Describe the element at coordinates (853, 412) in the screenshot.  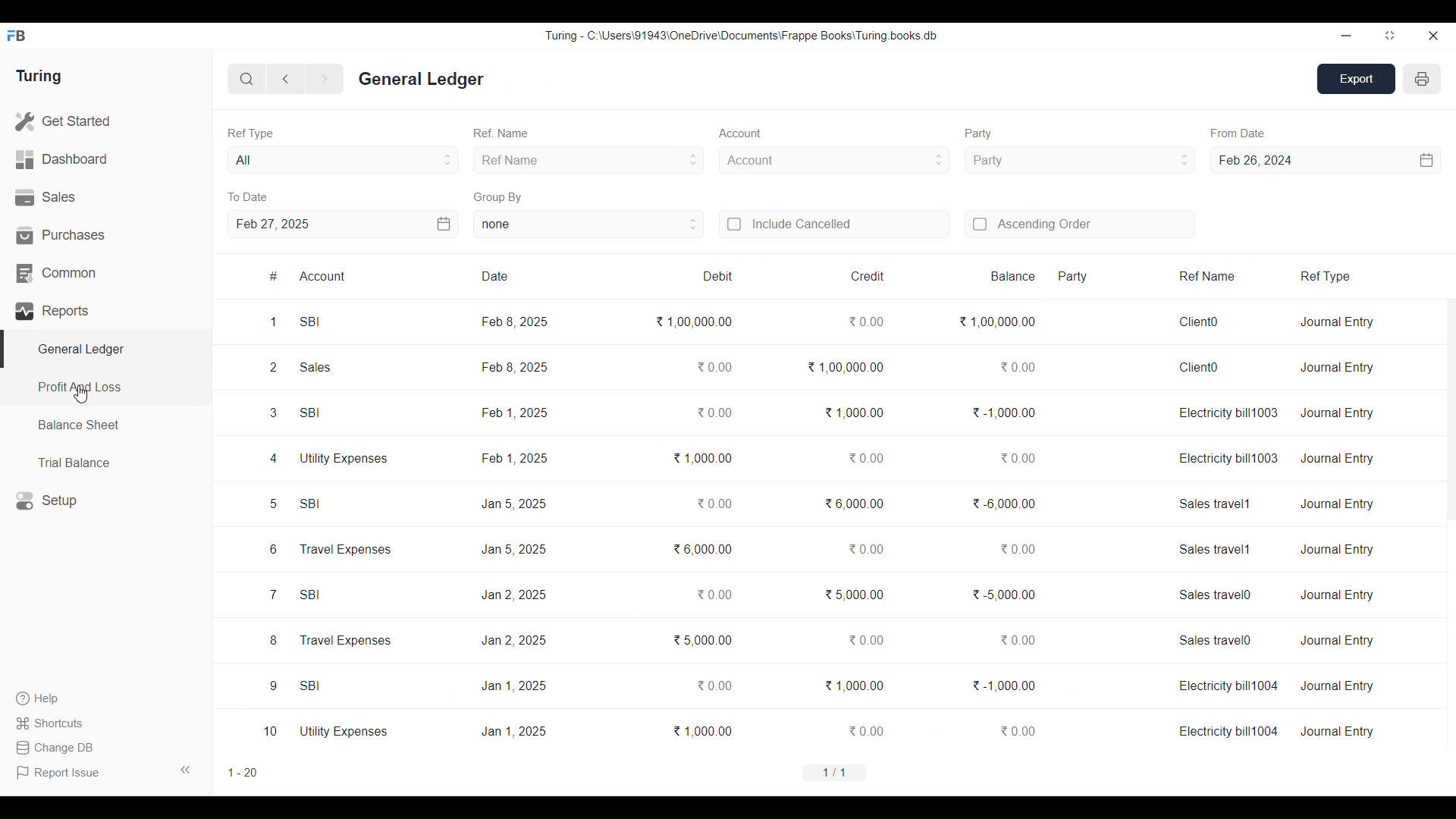
I see `1,000.00` at that location.